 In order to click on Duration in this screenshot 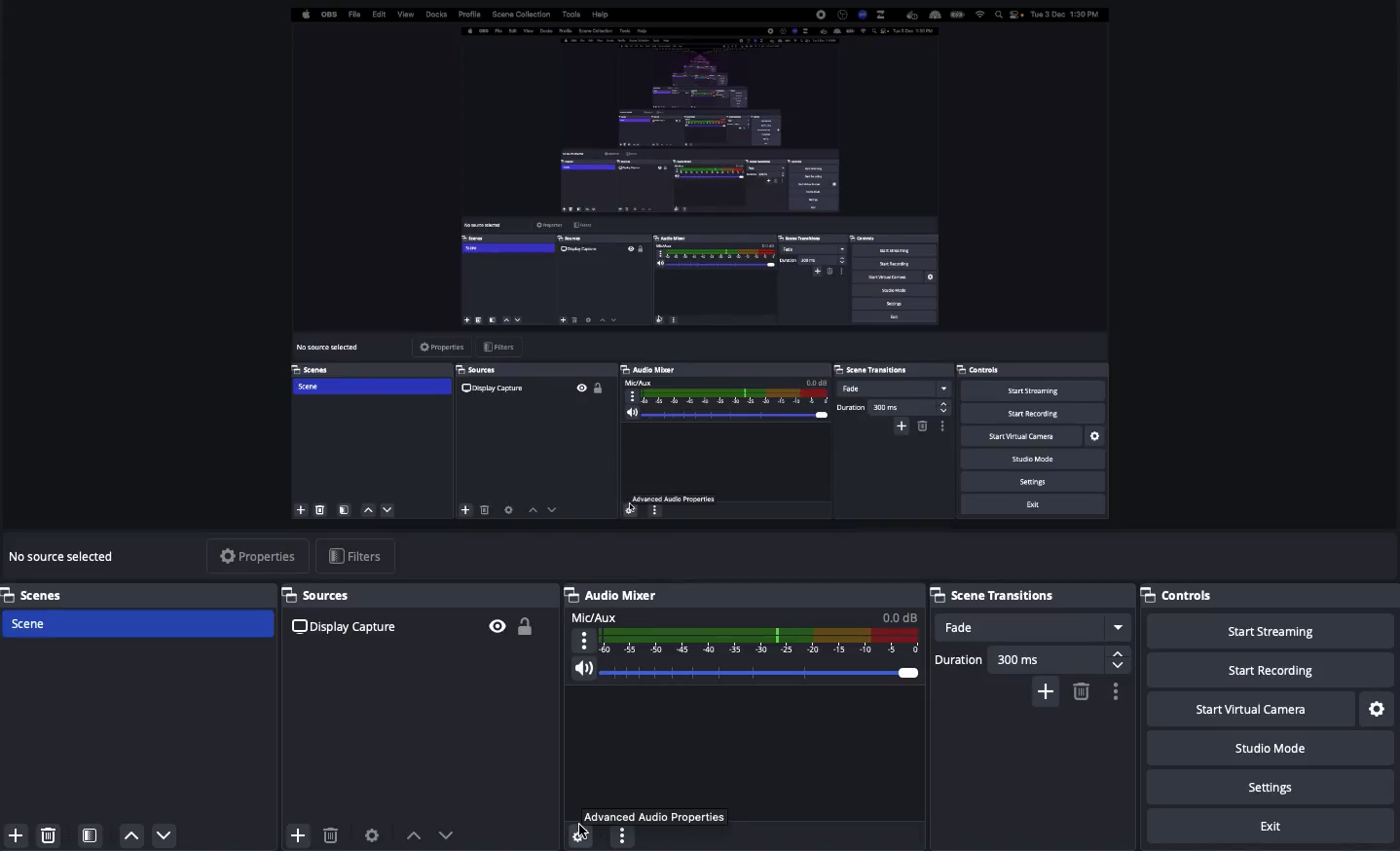, I will do `click(1031, 660)`.